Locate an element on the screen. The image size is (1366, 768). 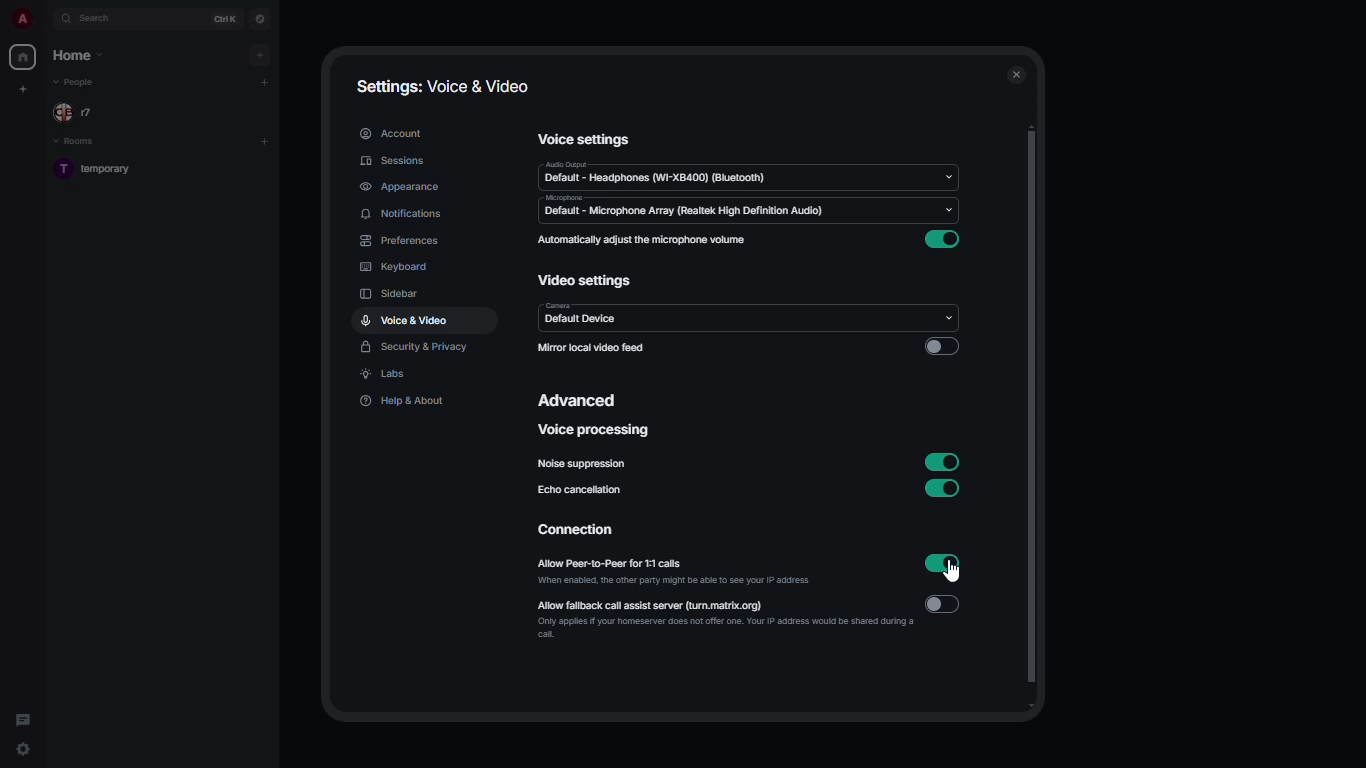
voice & video is located at coordinates (404, 322).